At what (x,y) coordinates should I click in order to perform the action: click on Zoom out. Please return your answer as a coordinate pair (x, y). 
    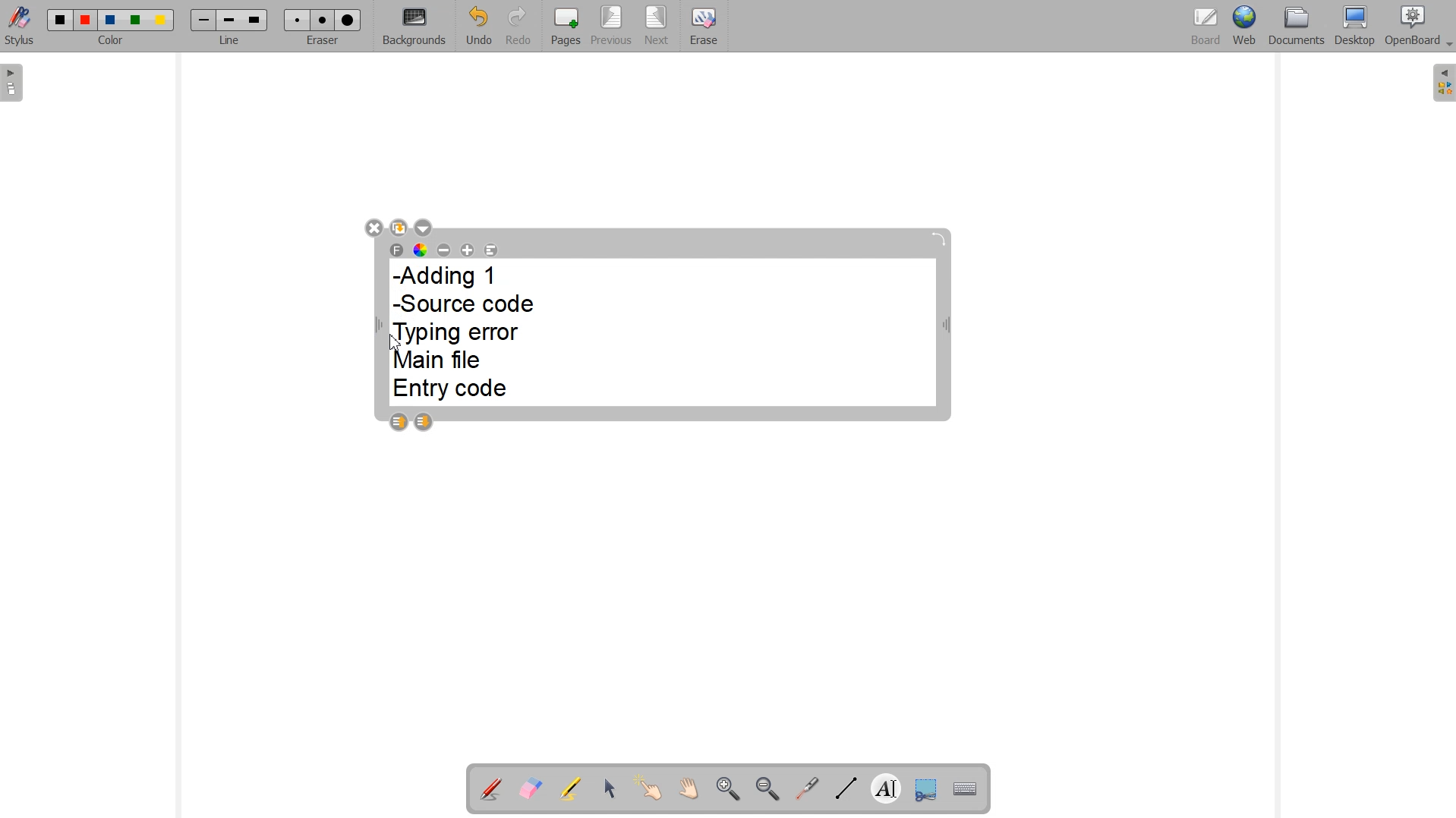
    Looking at the image, I should click on (767, 788).